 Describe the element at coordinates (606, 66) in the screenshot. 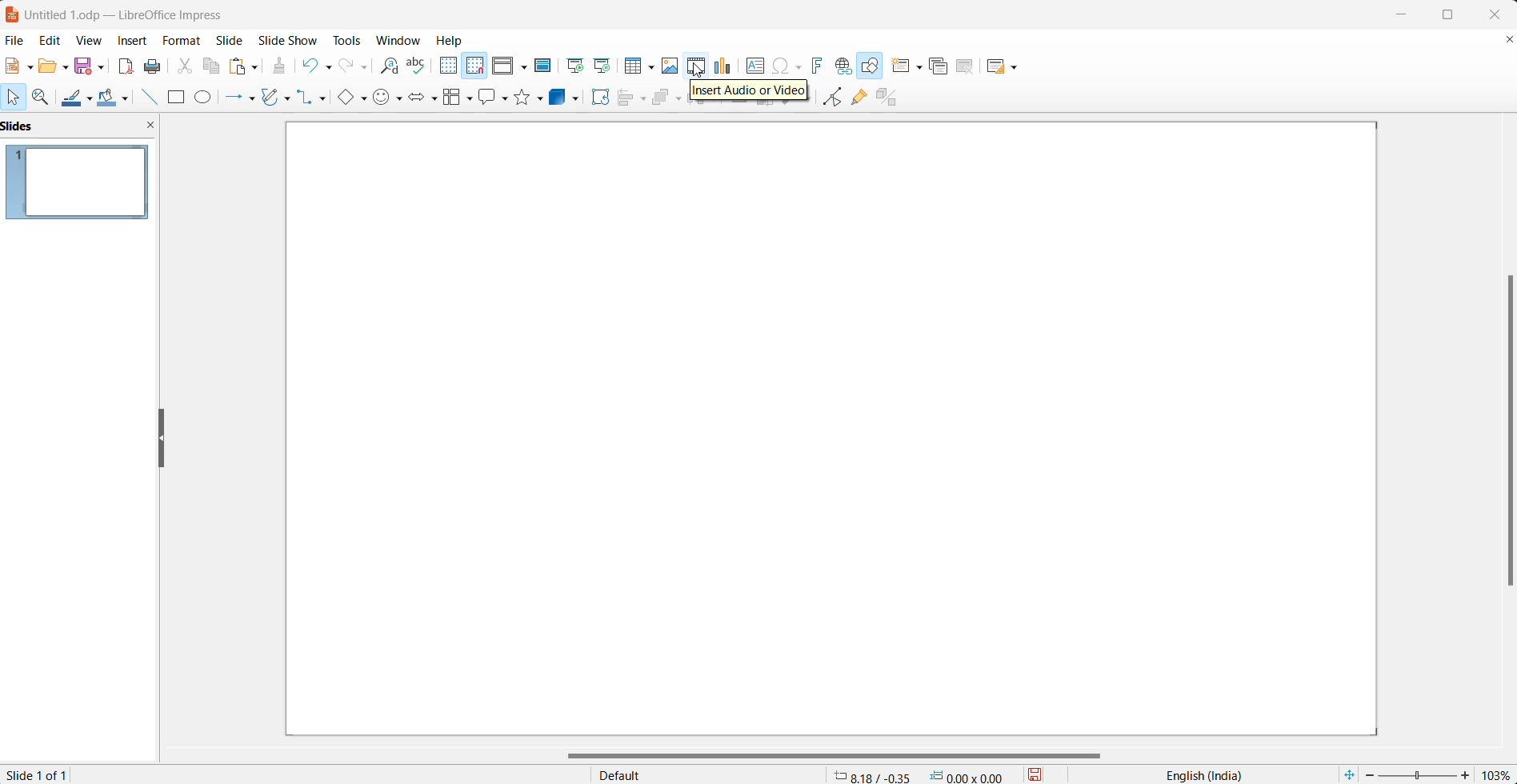

I see `start from current slide` at that location.